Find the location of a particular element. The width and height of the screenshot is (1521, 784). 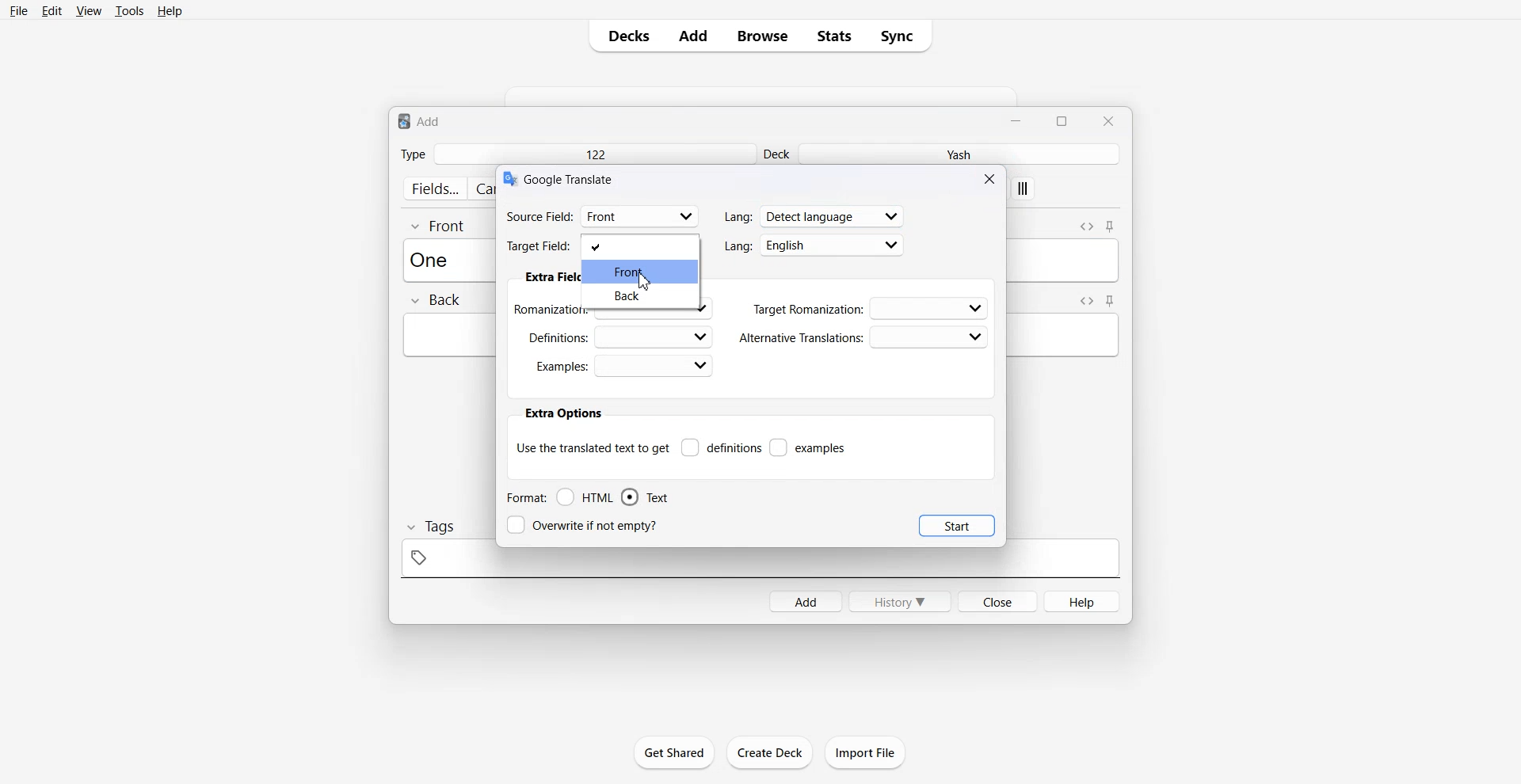

Text is located at coordinates (420, 120).